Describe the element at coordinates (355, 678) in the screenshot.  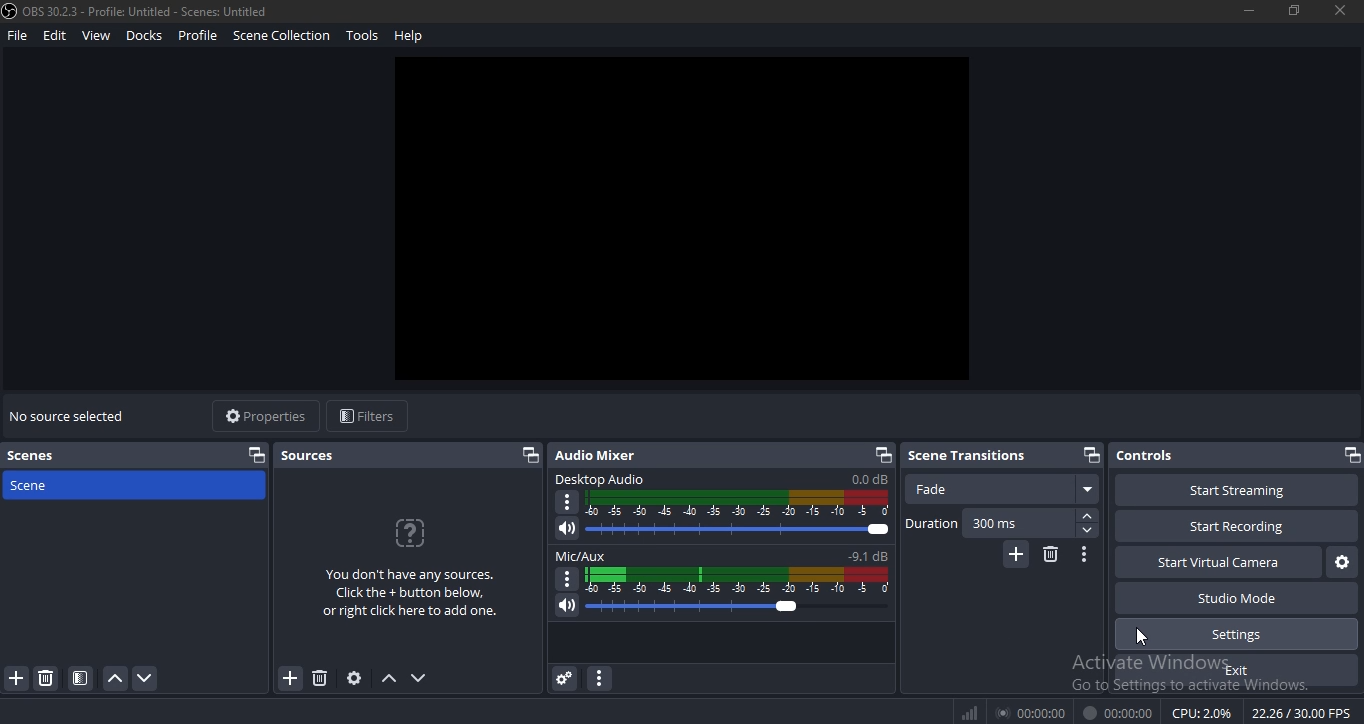
I see `setting` at that location.